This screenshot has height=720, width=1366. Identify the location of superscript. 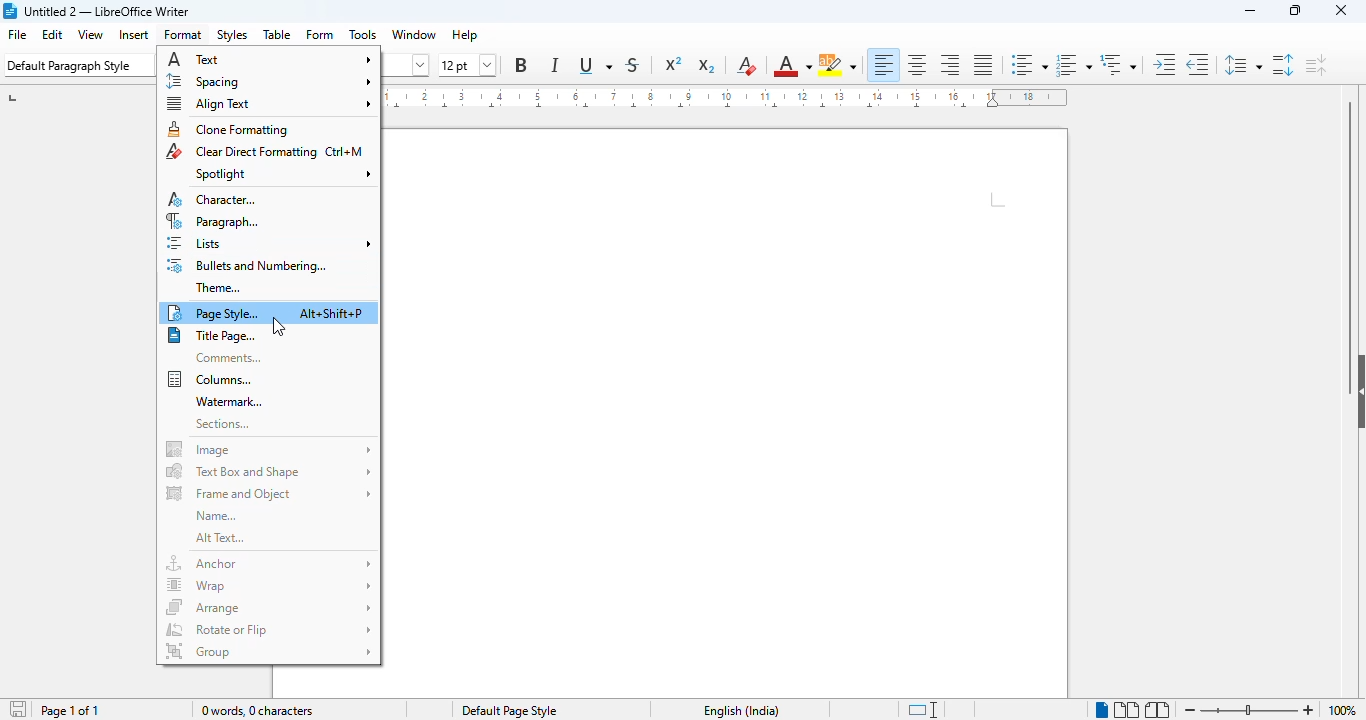
(673, 62).